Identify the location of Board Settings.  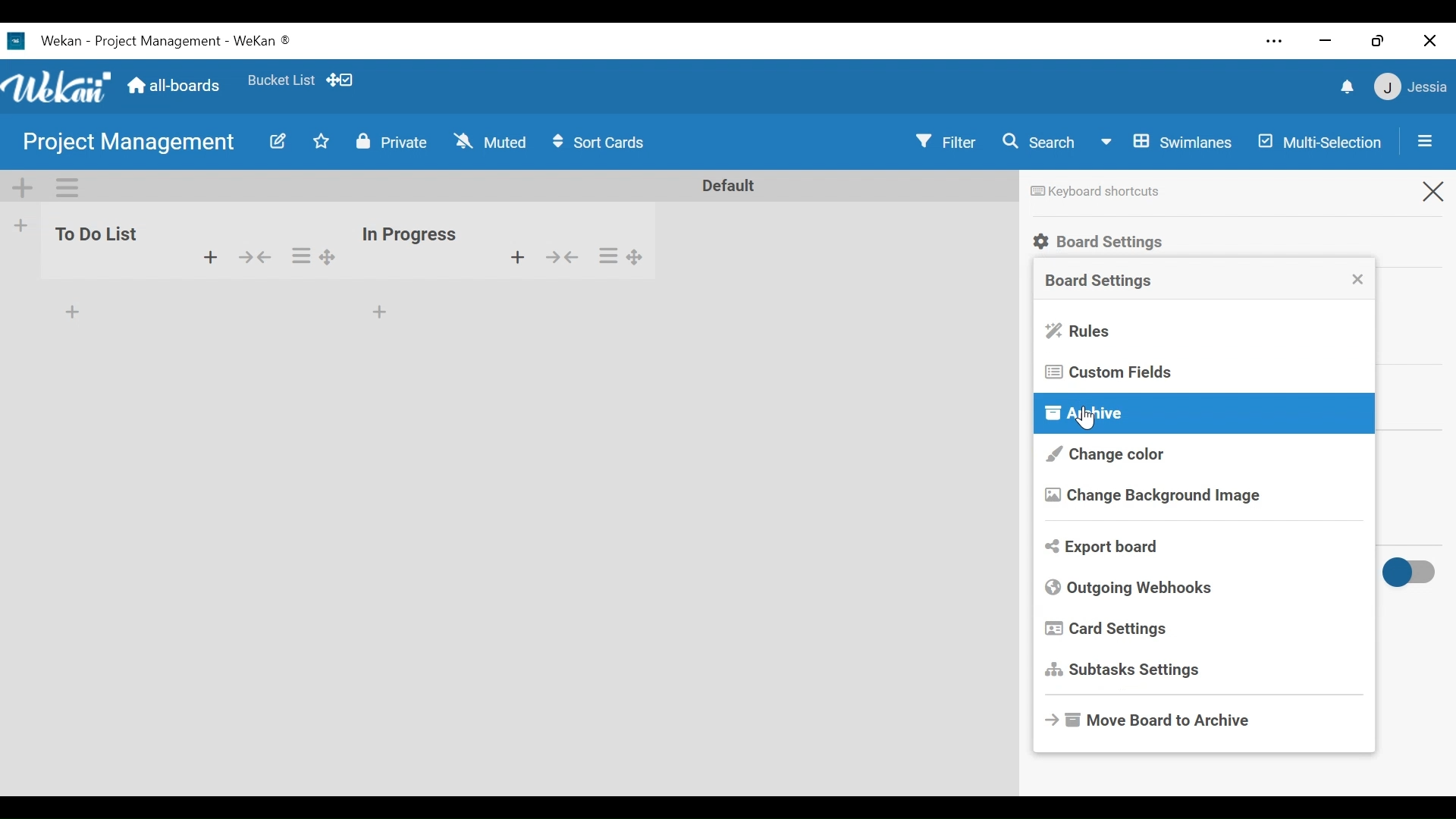
(1100, 281).